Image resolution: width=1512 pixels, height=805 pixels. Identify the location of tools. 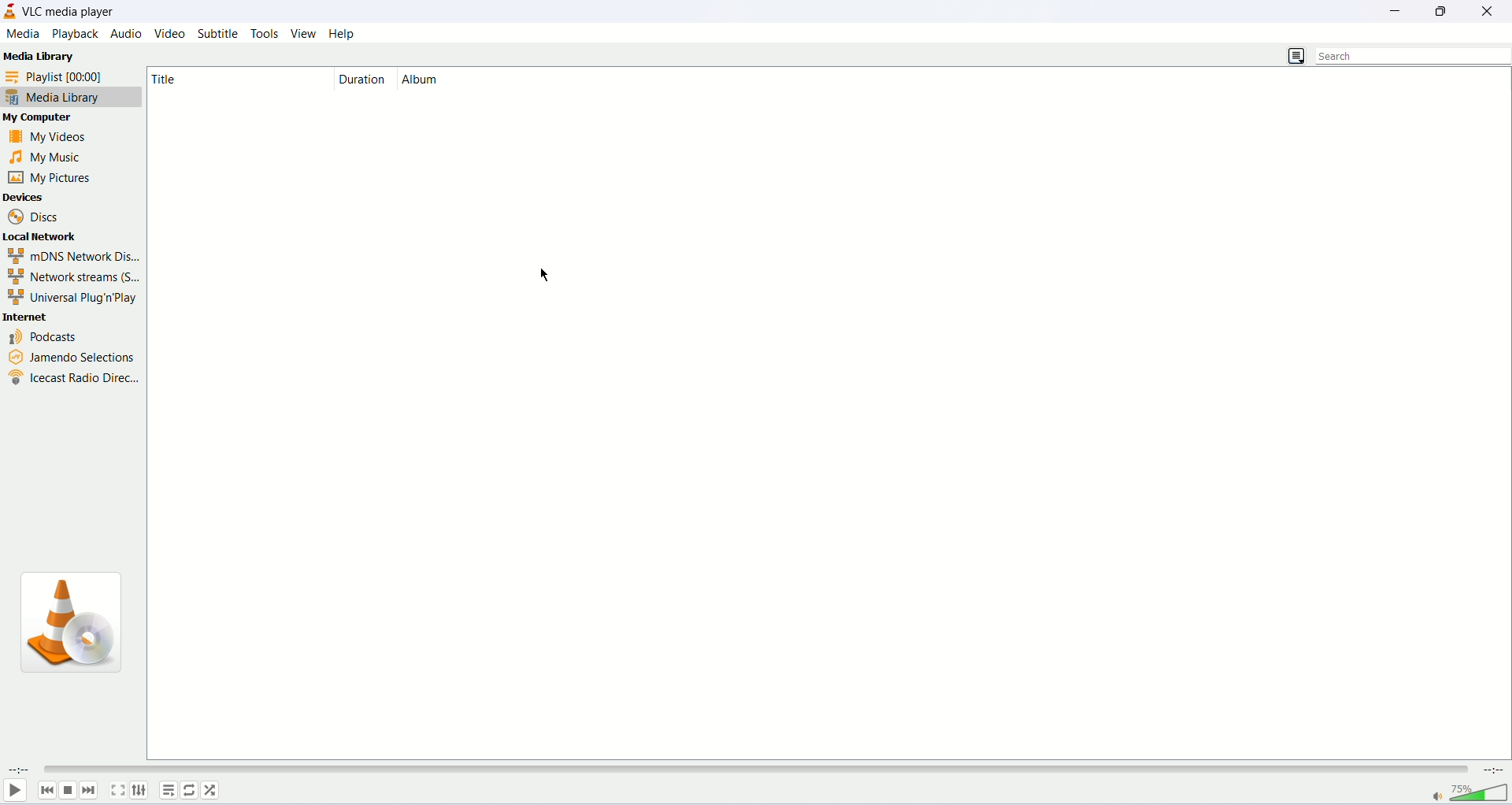
(265, 34).